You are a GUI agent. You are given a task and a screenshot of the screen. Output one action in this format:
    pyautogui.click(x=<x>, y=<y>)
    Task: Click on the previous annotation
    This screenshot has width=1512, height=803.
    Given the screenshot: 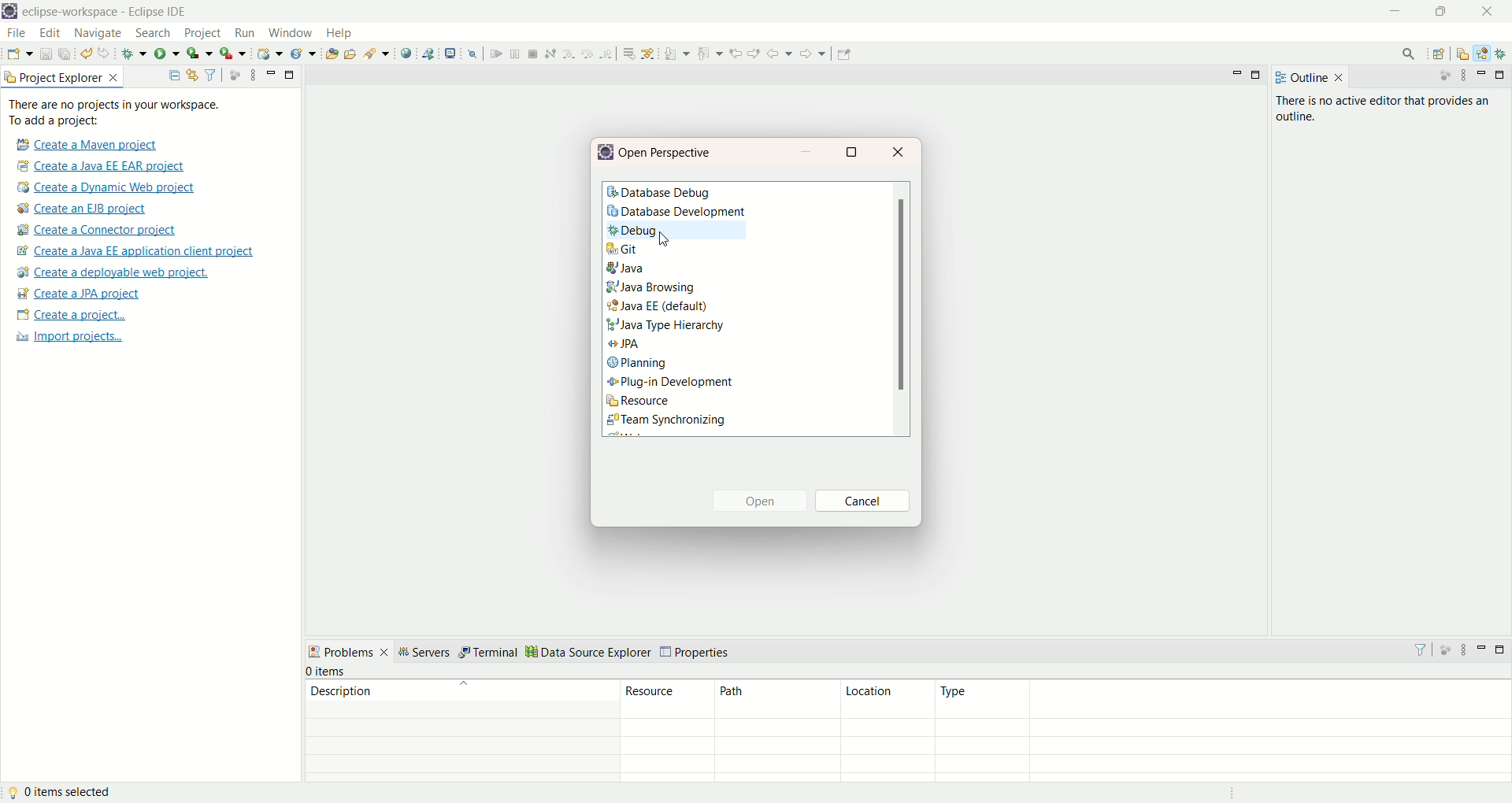 What is the action you would take?
    pyautogui.click(x=710, y=54)
    